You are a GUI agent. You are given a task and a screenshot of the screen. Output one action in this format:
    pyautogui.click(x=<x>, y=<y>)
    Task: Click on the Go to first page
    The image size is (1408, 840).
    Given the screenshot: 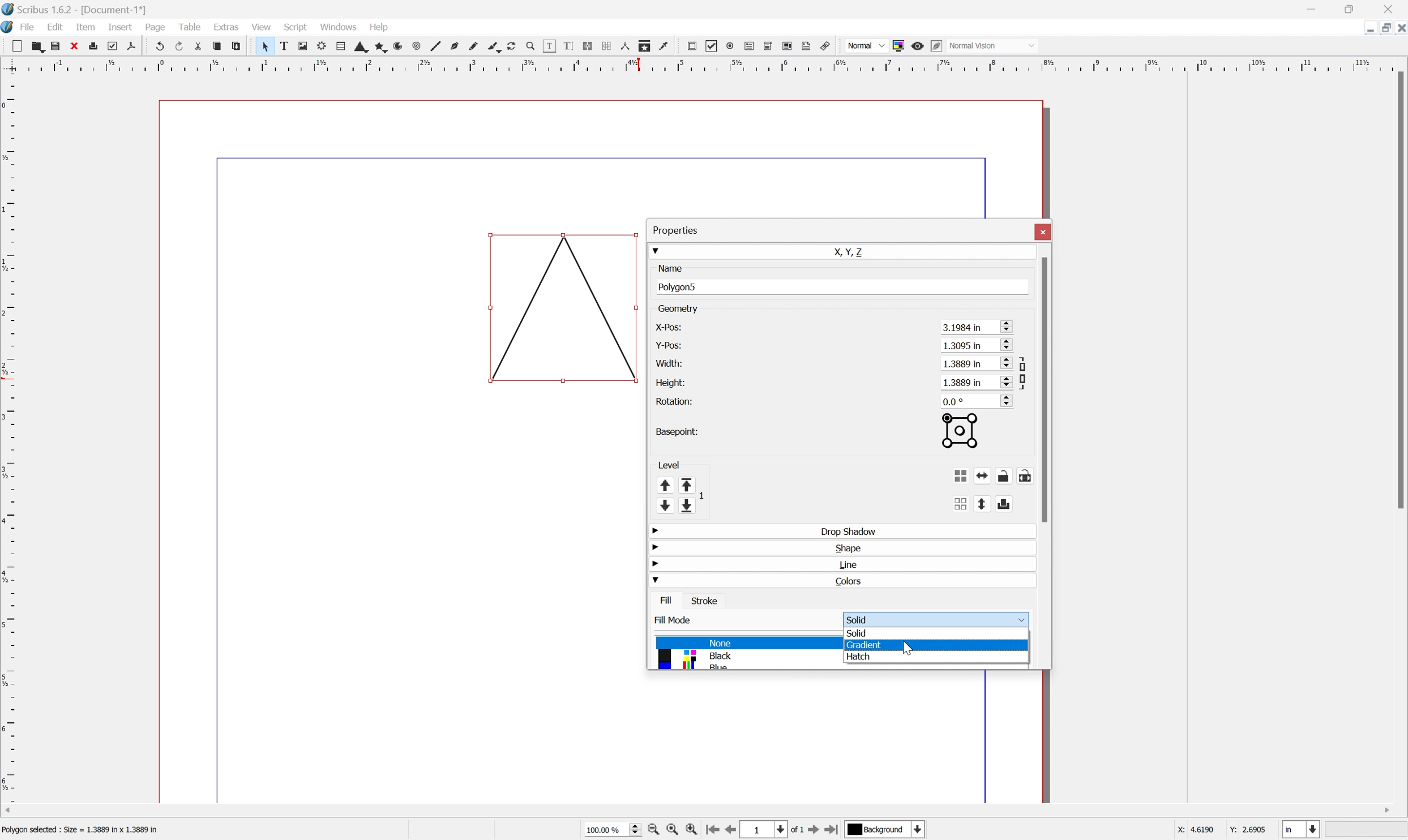 What is the action you would take?
    pyautogui.click(x=712, y=830)
    